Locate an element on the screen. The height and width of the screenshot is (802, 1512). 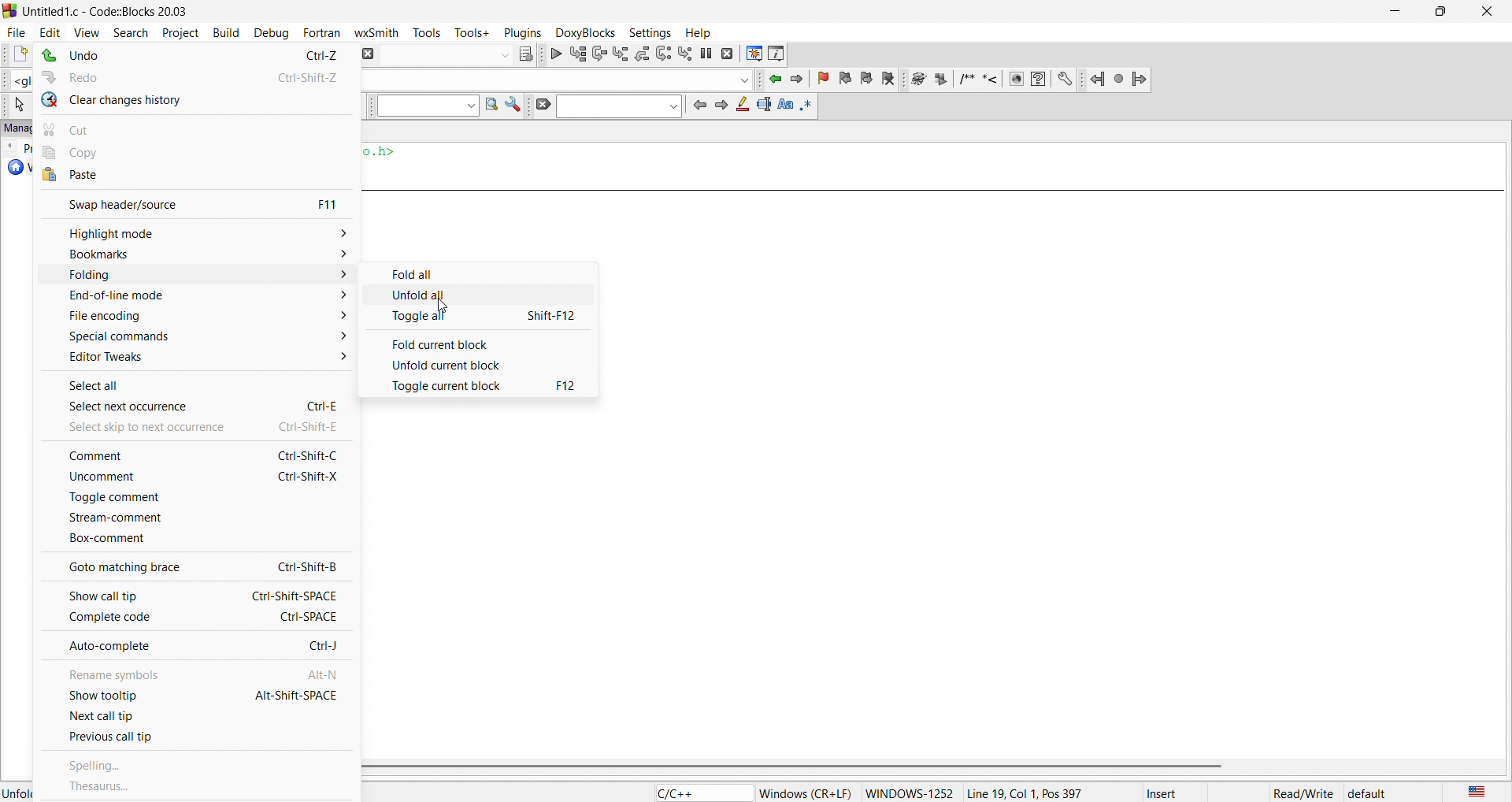
select all is located at coordinates (197, 381).